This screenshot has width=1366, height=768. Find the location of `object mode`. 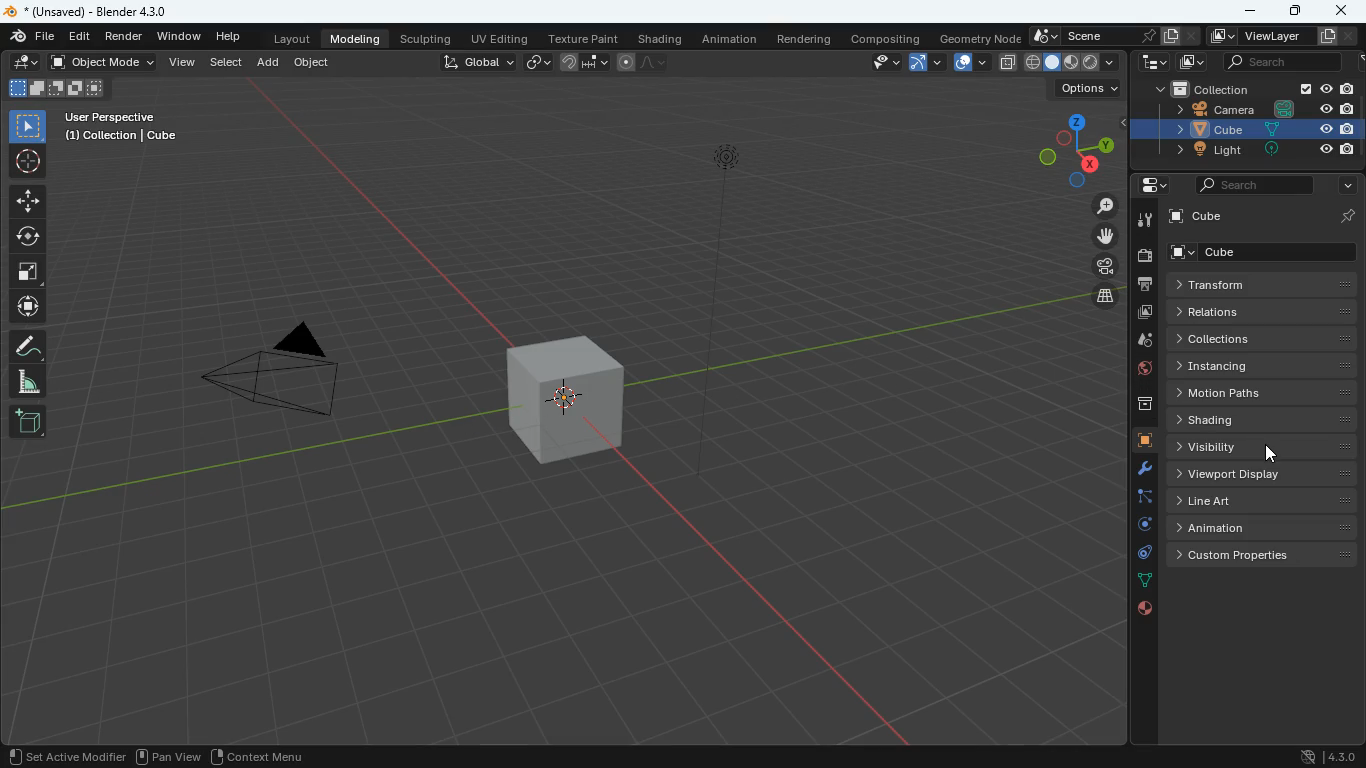

object mode is located at coordinates (103, 63).